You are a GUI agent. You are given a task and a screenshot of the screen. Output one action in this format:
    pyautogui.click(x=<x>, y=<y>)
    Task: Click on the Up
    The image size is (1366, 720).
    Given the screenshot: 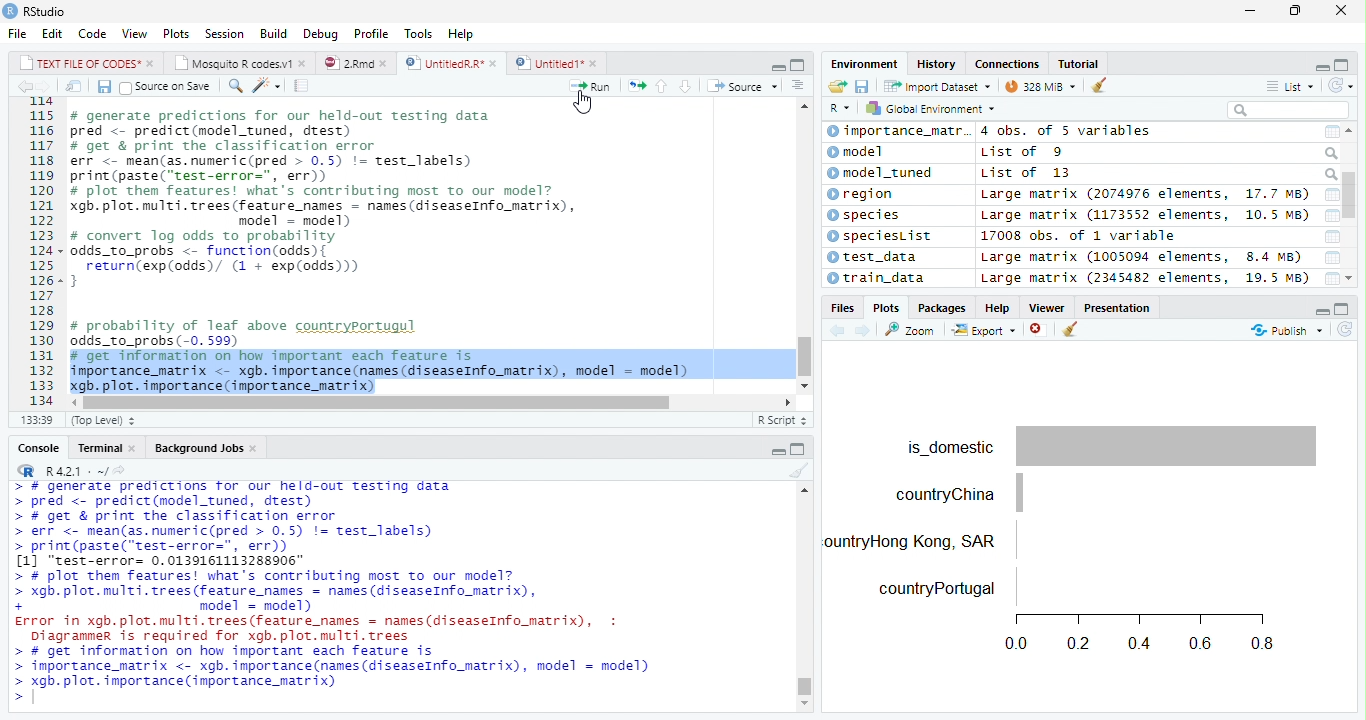 What is the action you would take?
    pyautogui.click(x=660, y=86)
    